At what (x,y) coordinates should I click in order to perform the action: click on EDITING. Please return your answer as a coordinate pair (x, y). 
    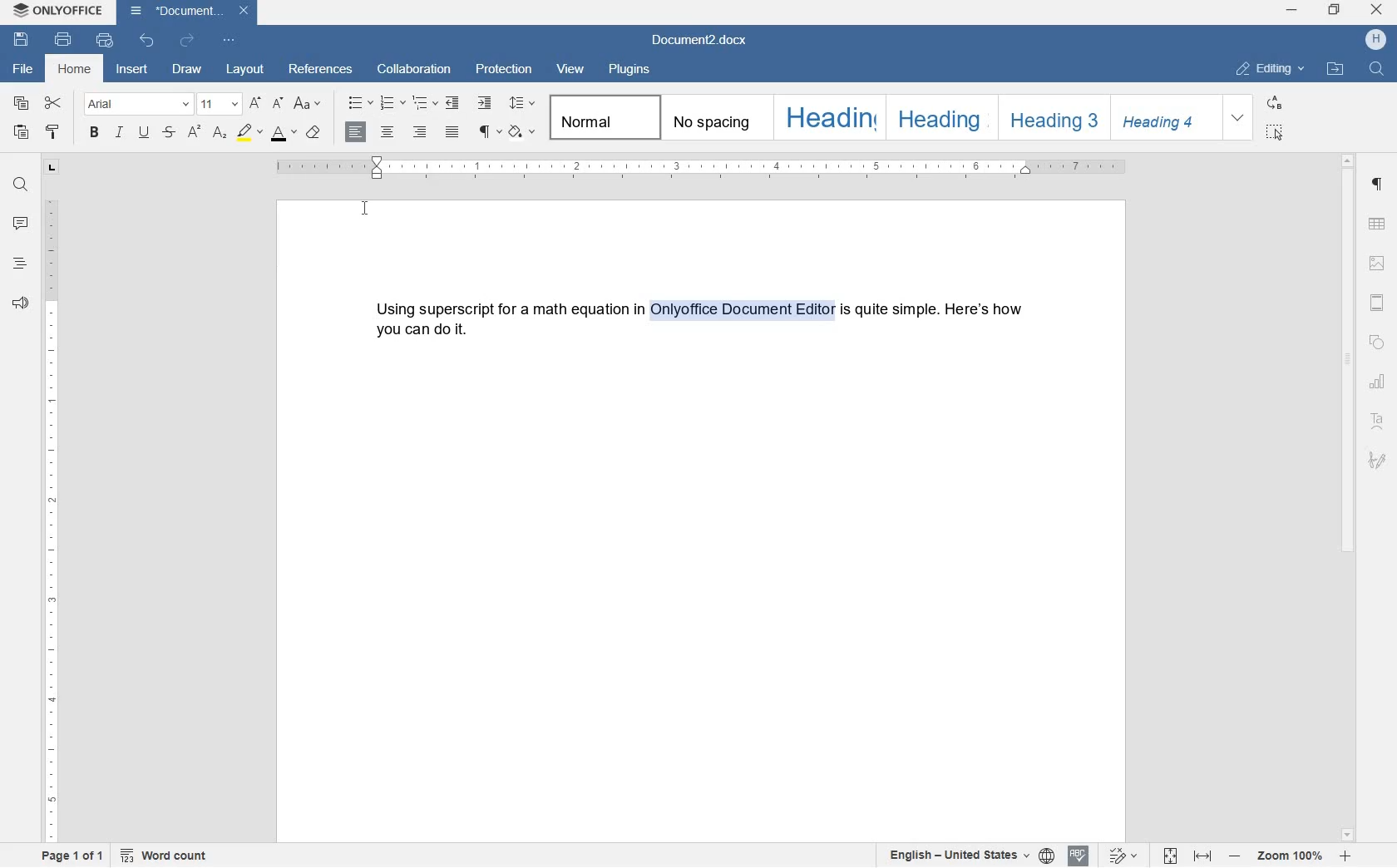
    Looking at the image, I should click on (1272, 70).